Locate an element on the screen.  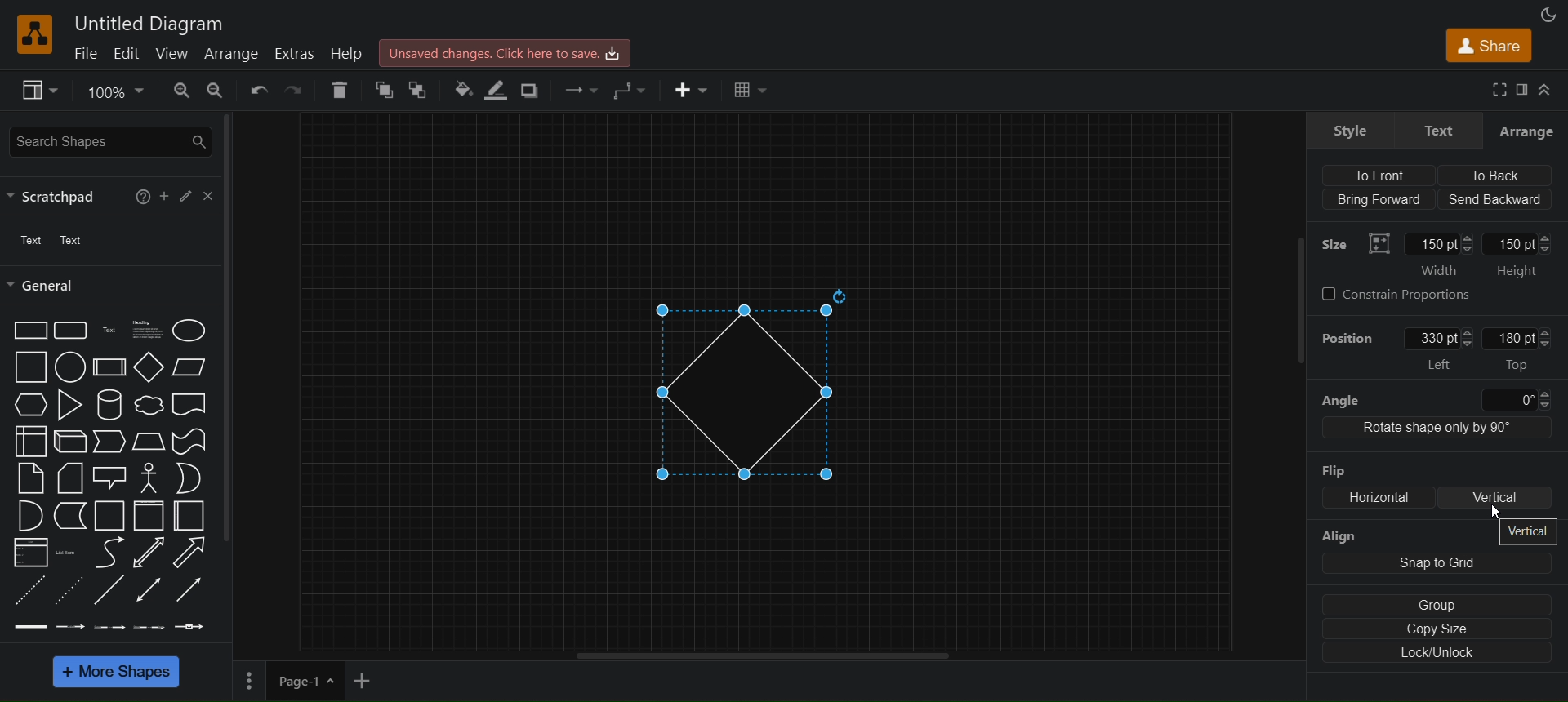
headings is located at coordinates (145, 328).